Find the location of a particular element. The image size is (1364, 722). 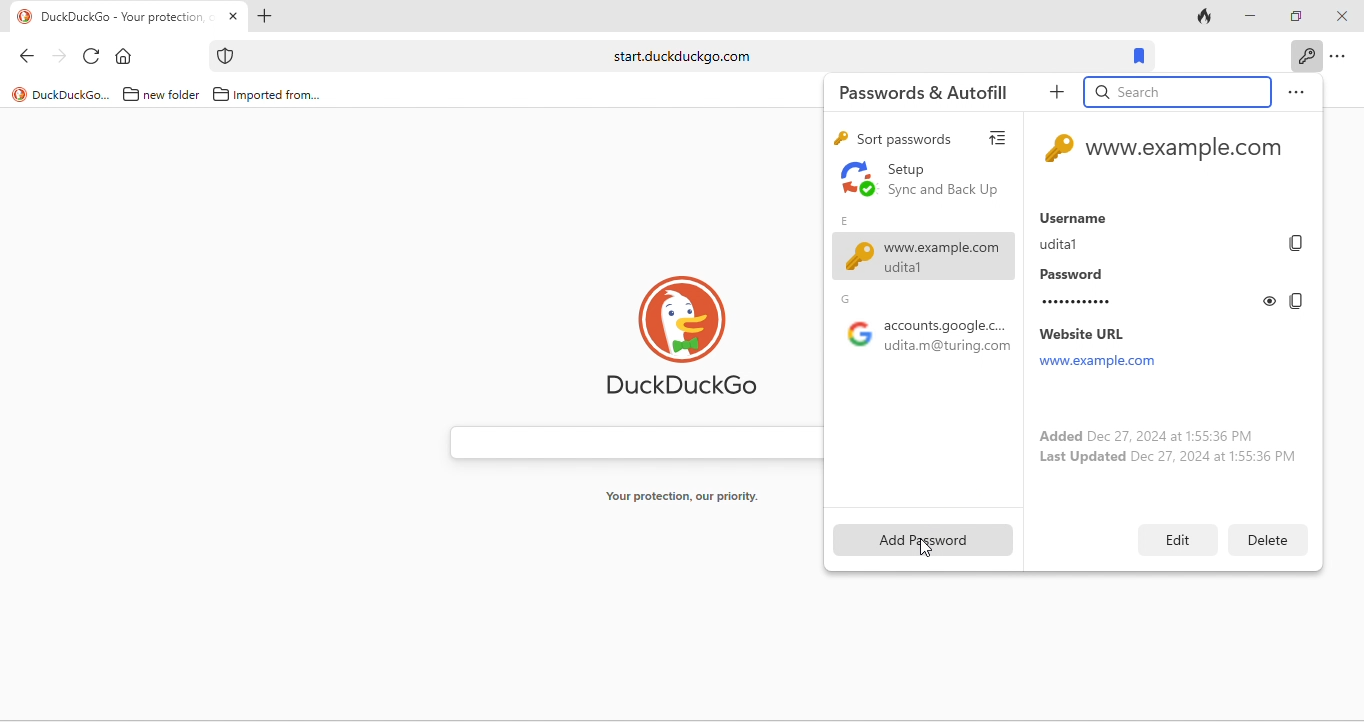

toggle show or hide password is located at coordinates (1271, 301).